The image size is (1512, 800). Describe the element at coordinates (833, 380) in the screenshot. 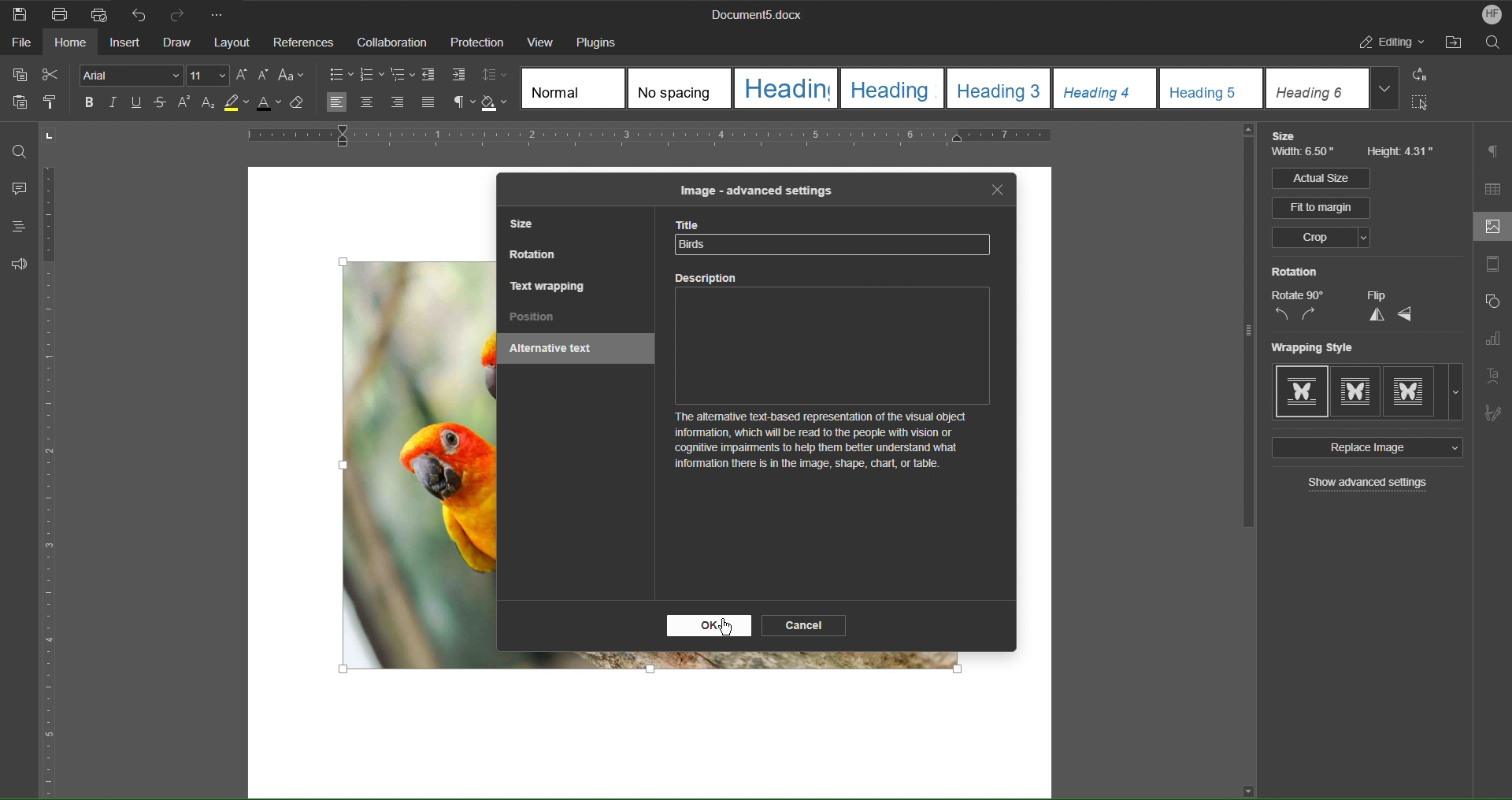

I see `Description` at that location.